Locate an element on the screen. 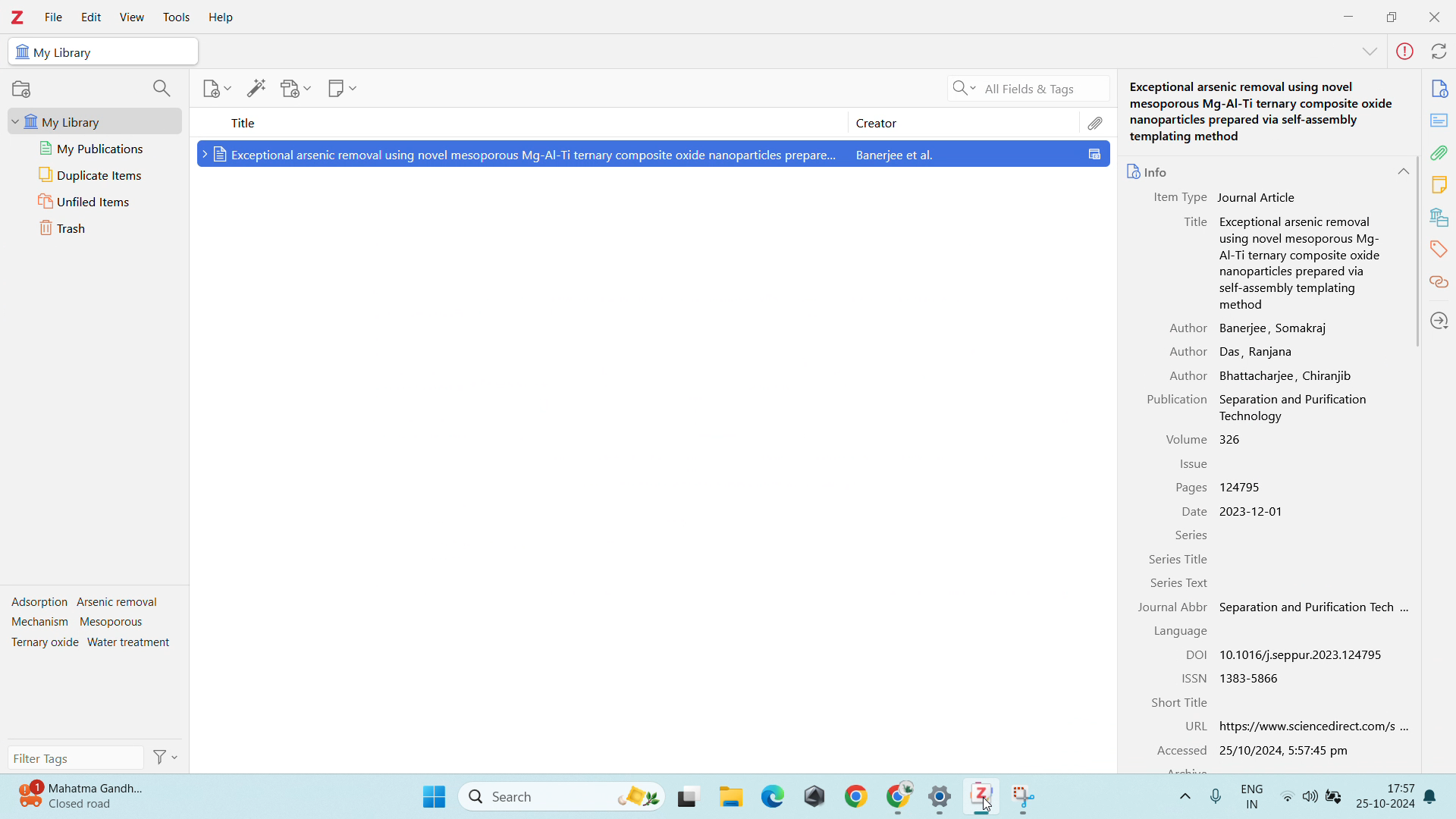 This screenshot has width=1456, height=819. Author Banerjee, Somakraj is located at coordinates (1245, 328).